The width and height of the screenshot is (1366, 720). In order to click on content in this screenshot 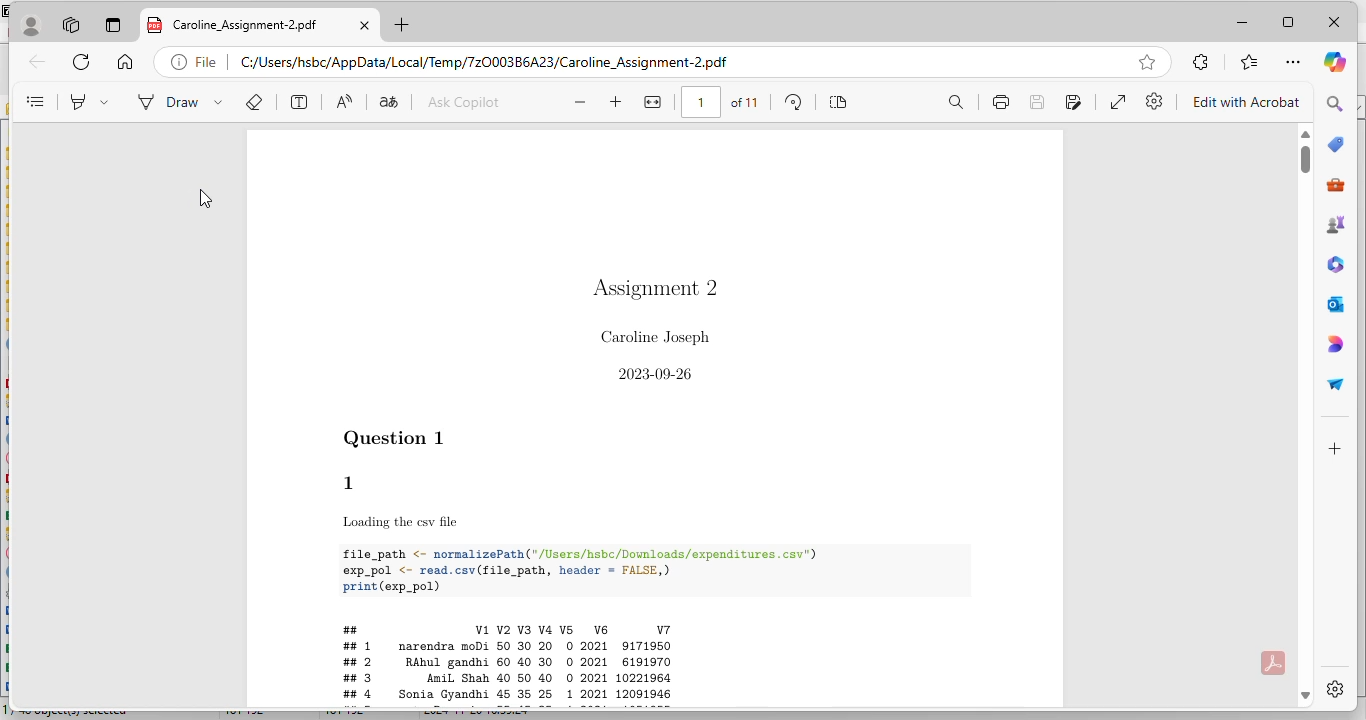, I will do `click(37, 101)`.